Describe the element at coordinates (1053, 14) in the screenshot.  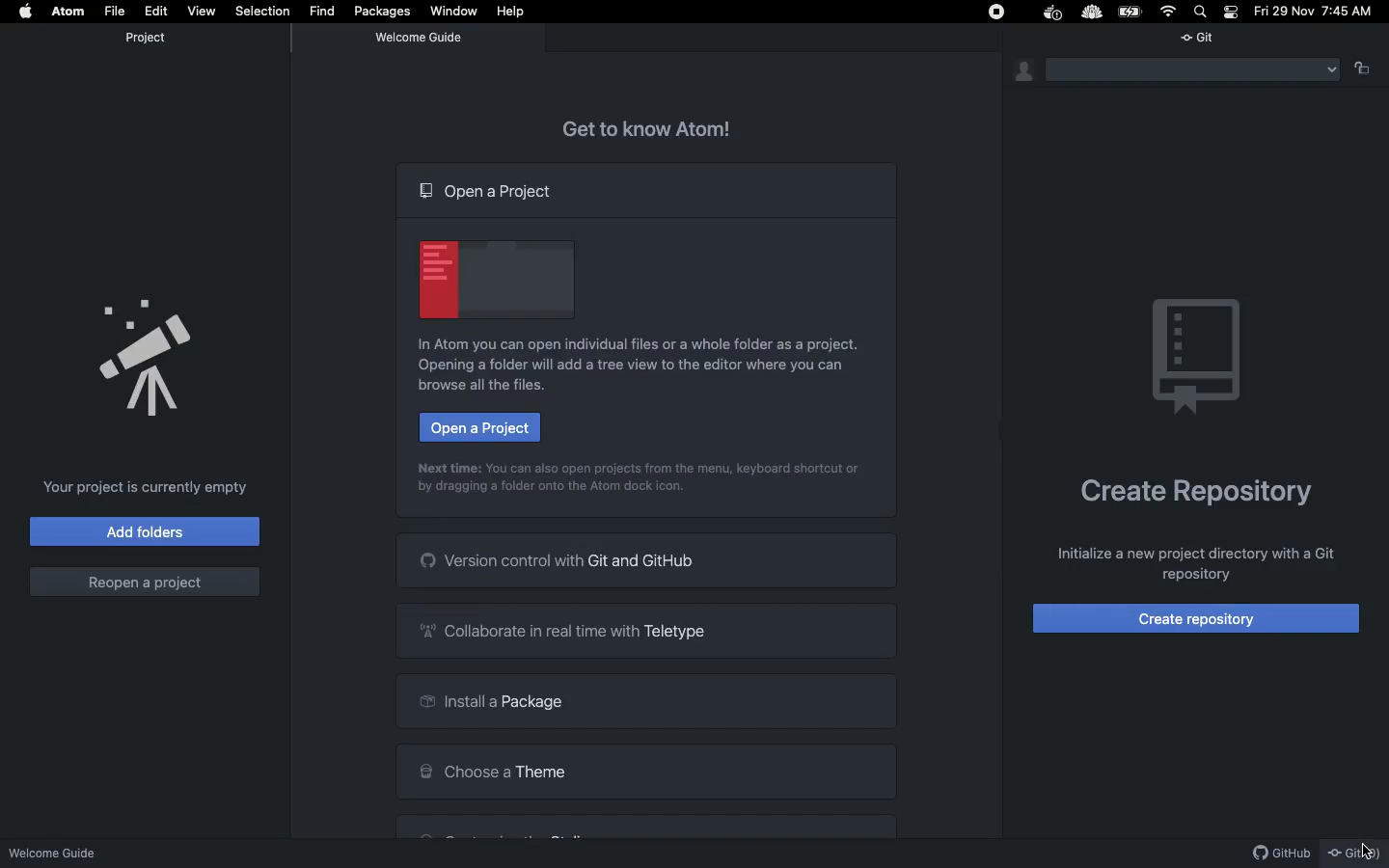
I see `Docker` at that location.